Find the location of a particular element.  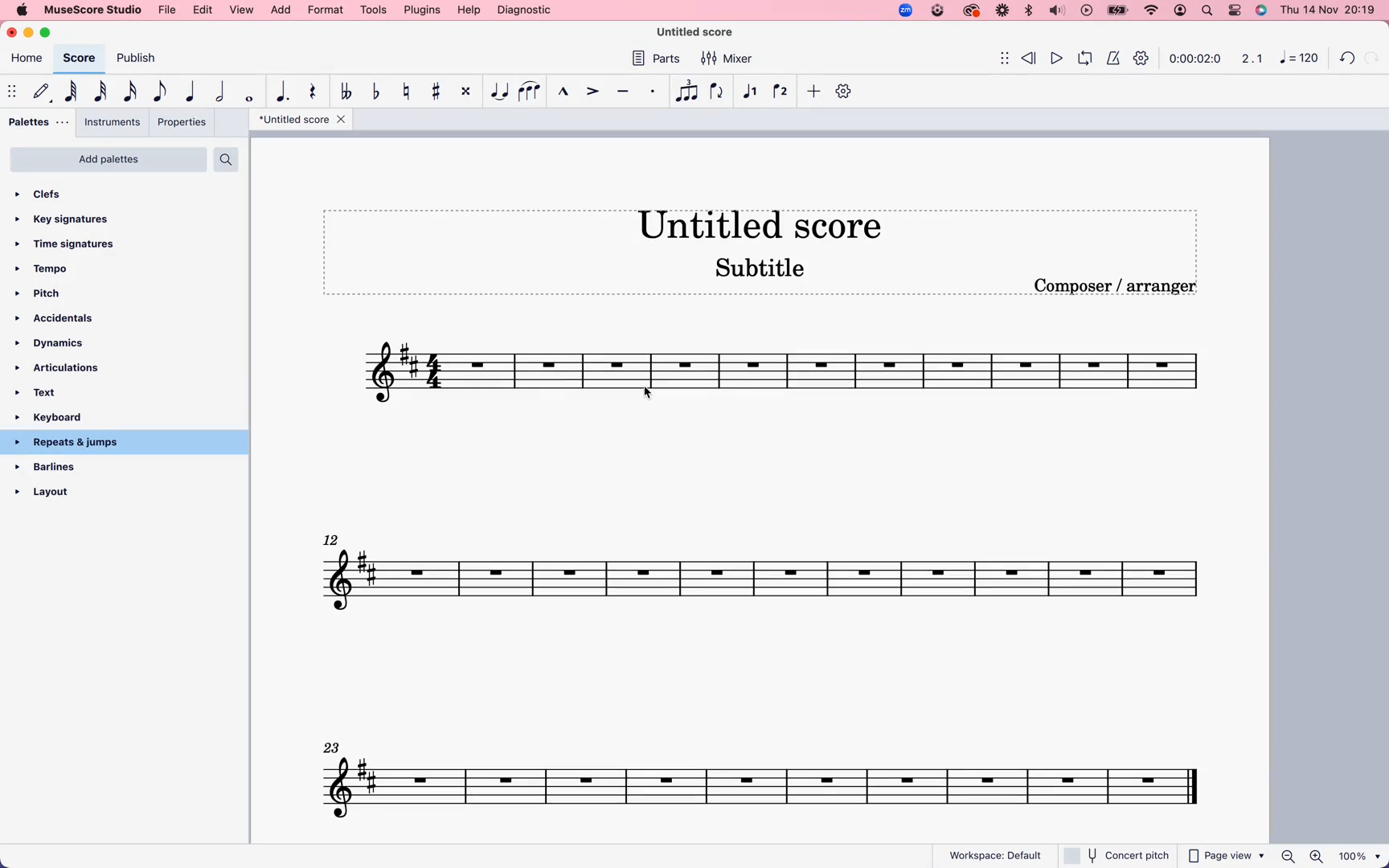

settings is located at coordinates (846, 91).